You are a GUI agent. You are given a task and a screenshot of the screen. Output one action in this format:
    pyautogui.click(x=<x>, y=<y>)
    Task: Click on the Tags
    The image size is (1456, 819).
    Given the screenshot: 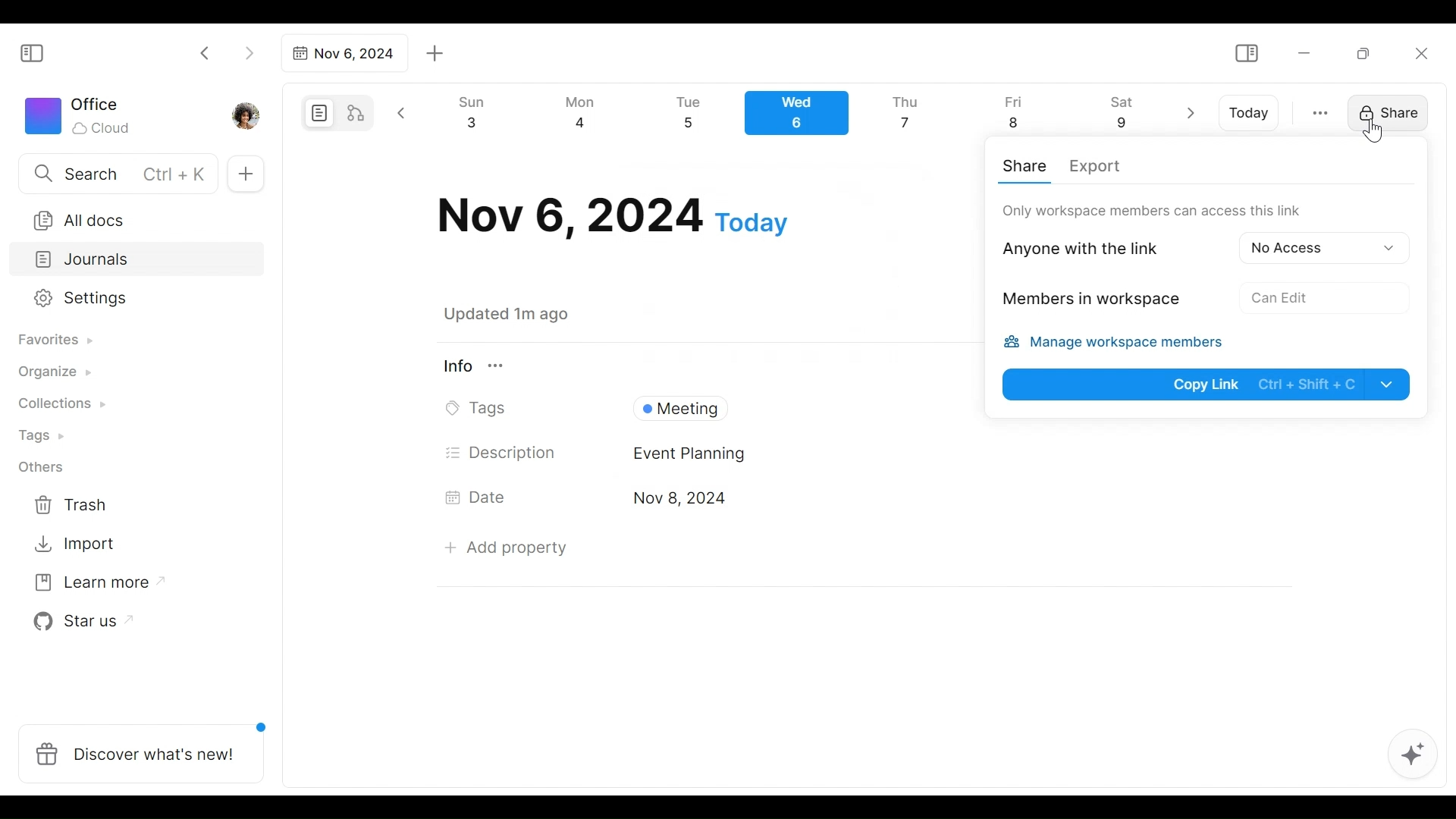 What is the action you would take?
    pyautogui.click(x=43, y=438)
    